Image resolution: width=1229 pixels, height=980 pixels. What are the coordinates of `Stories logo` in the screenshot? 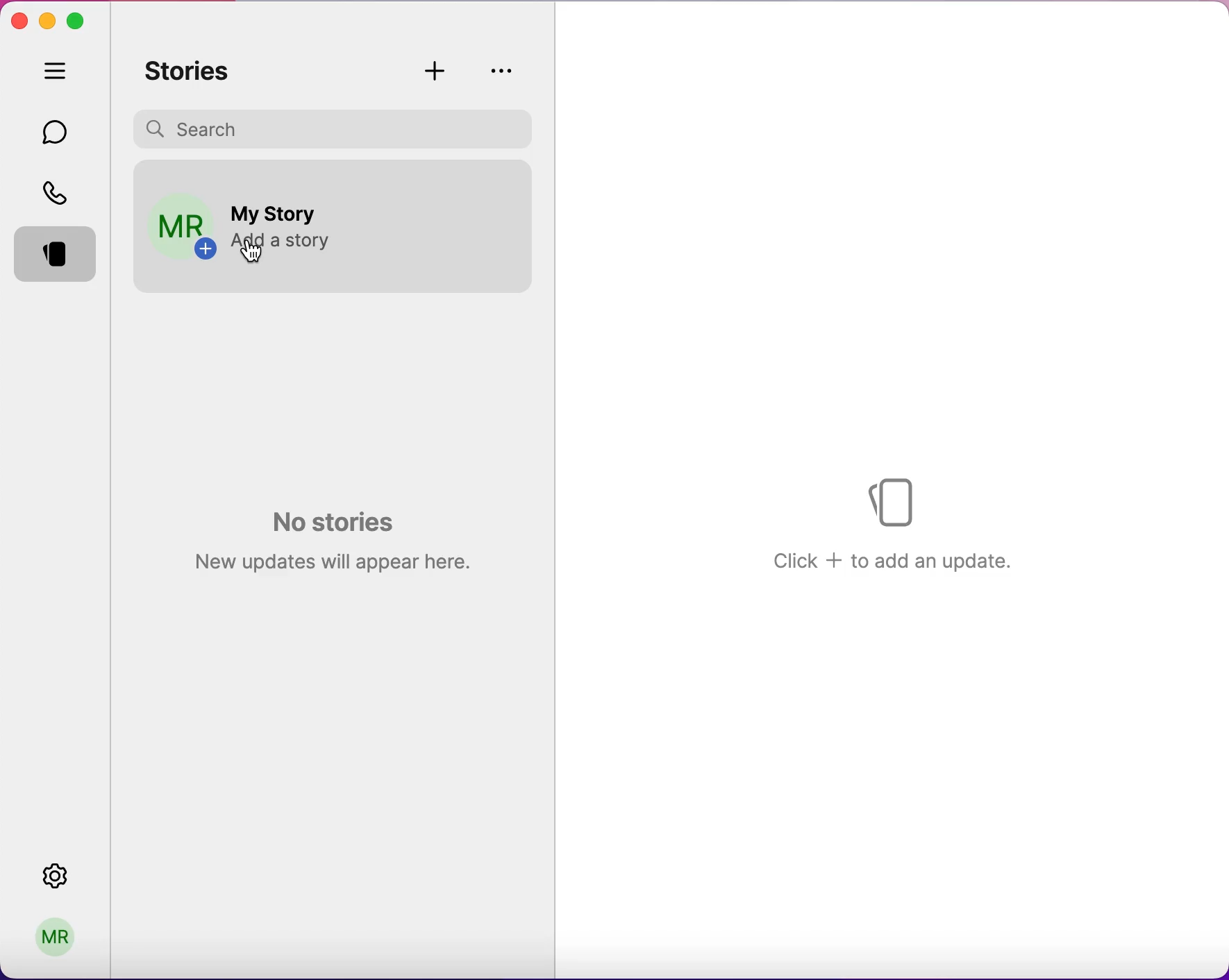 It's located at (896, 499).